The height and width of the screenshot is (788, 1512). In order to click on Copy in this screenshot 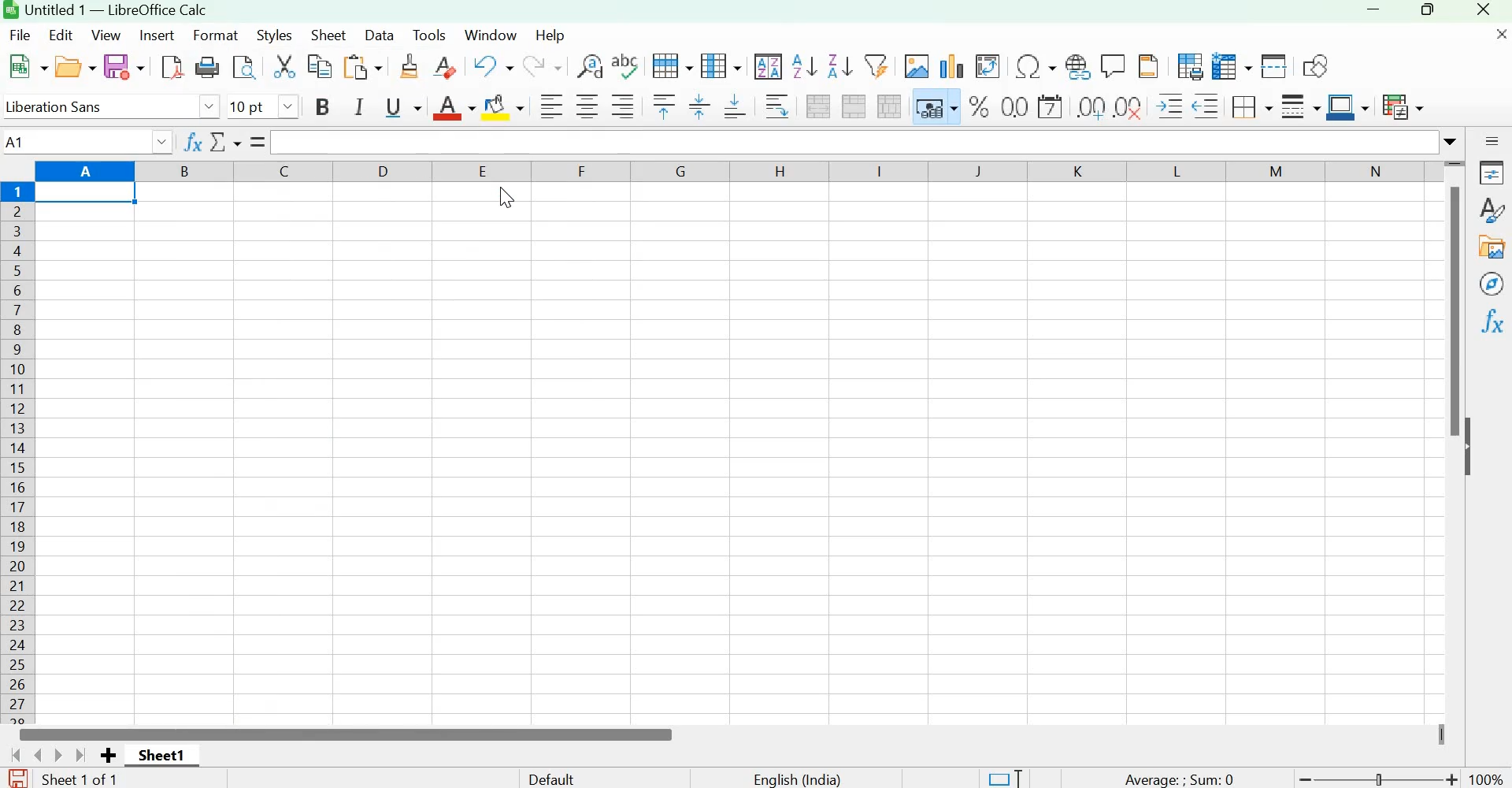, I will do `click(321, 68)`.